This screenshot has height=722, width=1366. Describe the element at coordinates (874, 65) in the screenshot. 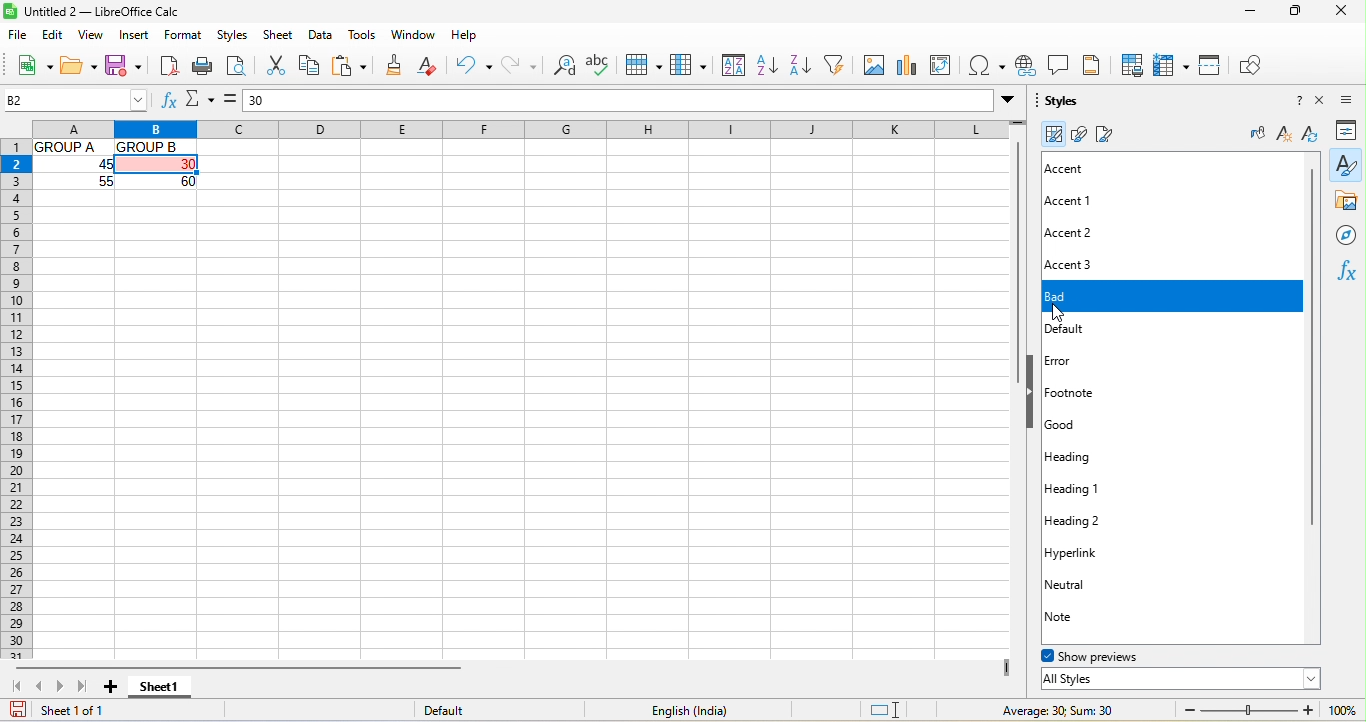

I see `image` at that location.